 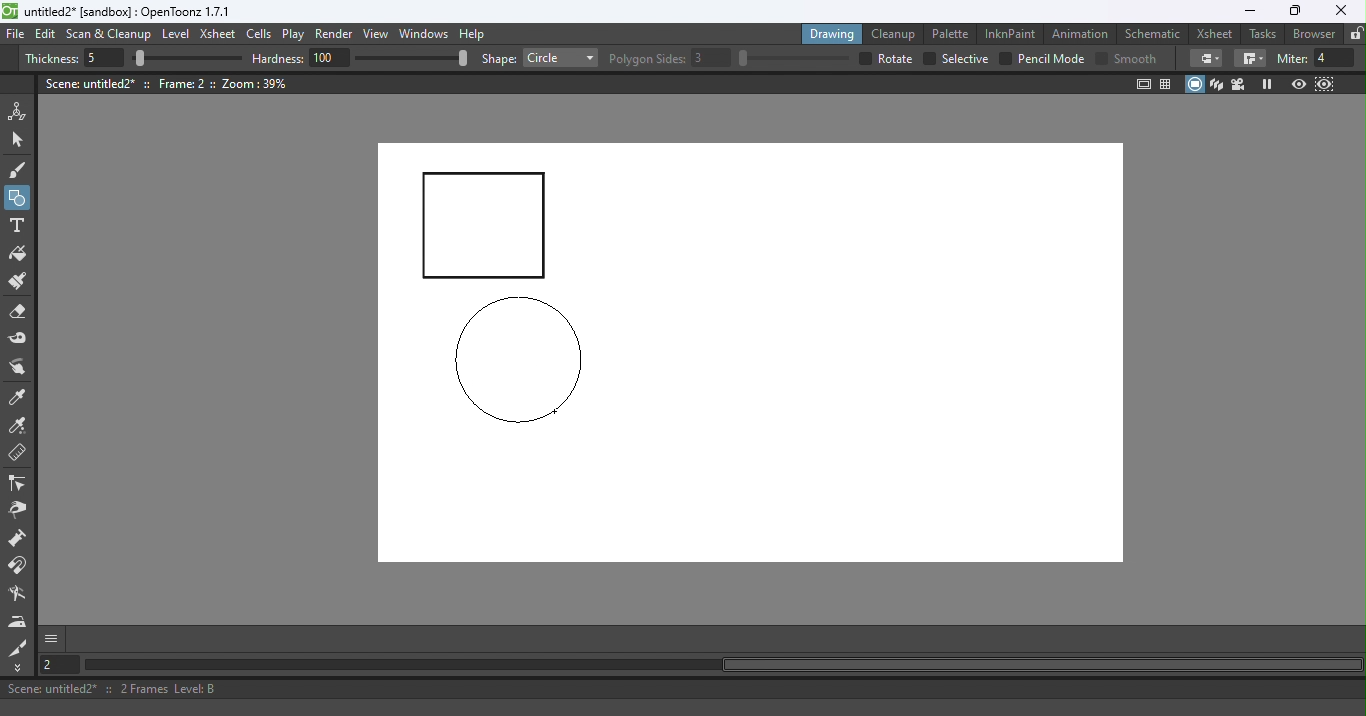 I want to click on Finger tool, so click(x=18, y=369).